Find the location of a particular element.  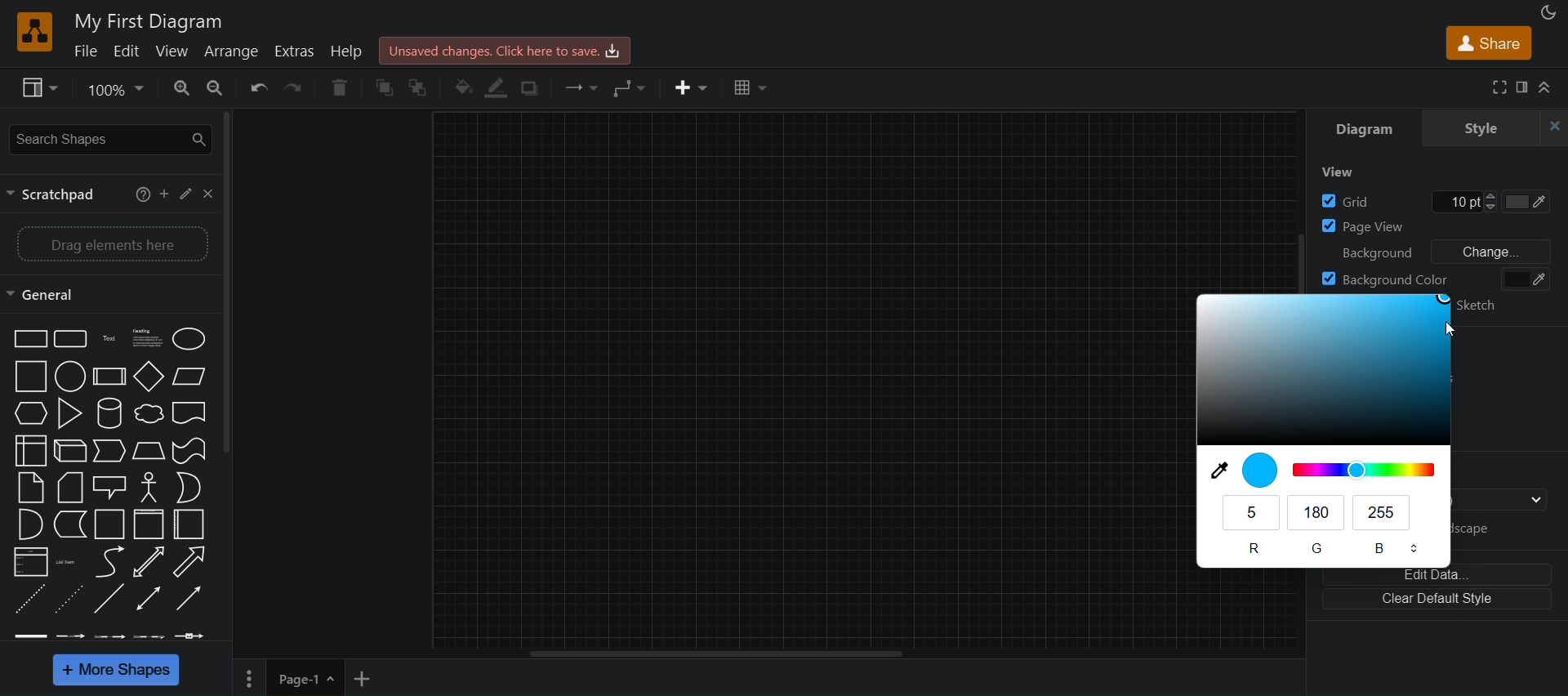

view is located at coordinates (1340, 173).